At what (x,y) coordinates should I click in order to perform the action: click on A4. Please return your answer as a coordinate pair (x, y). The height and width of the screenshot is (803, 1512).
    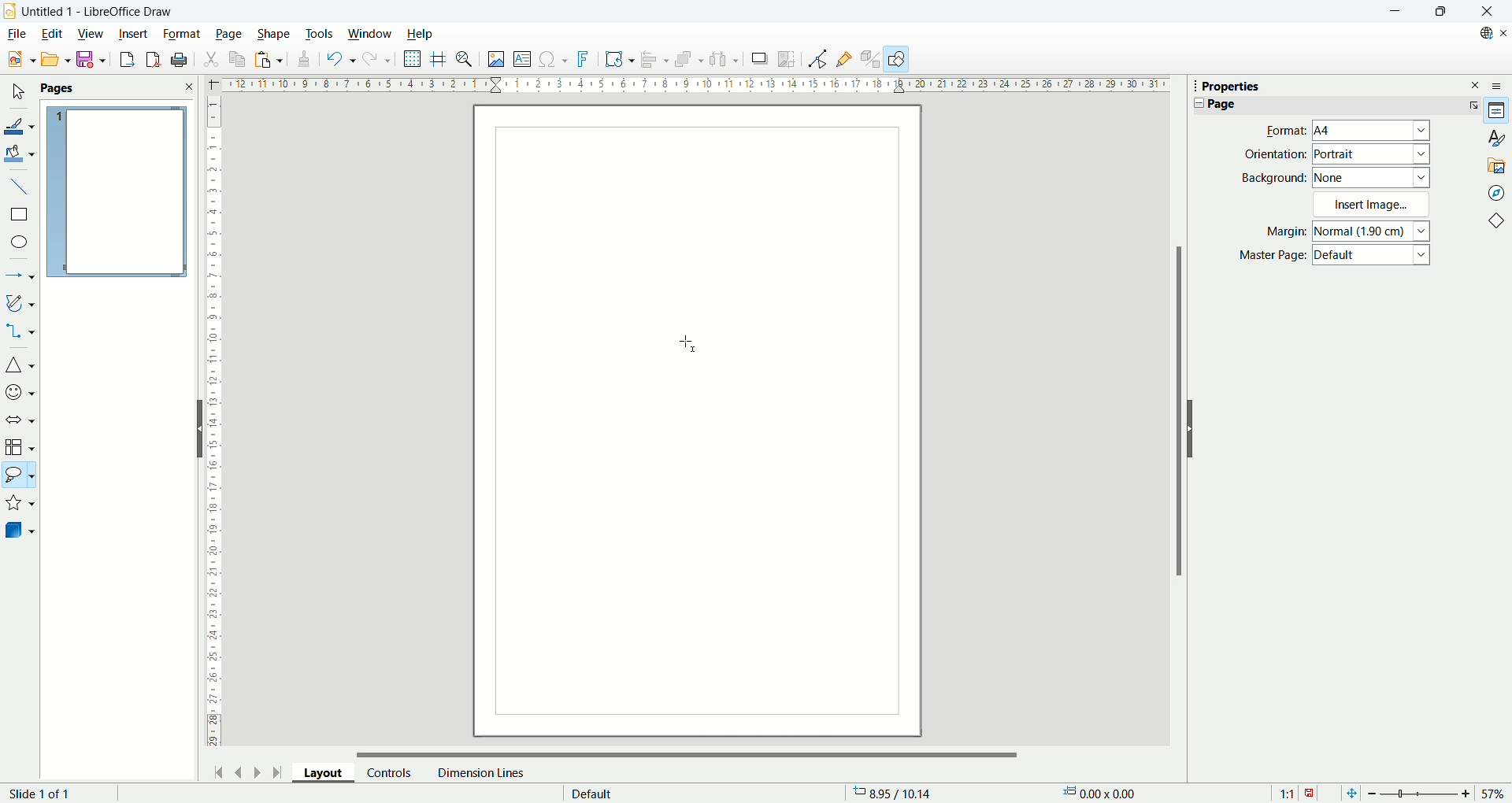
    Looking at the image, I should click on (1373, 131).